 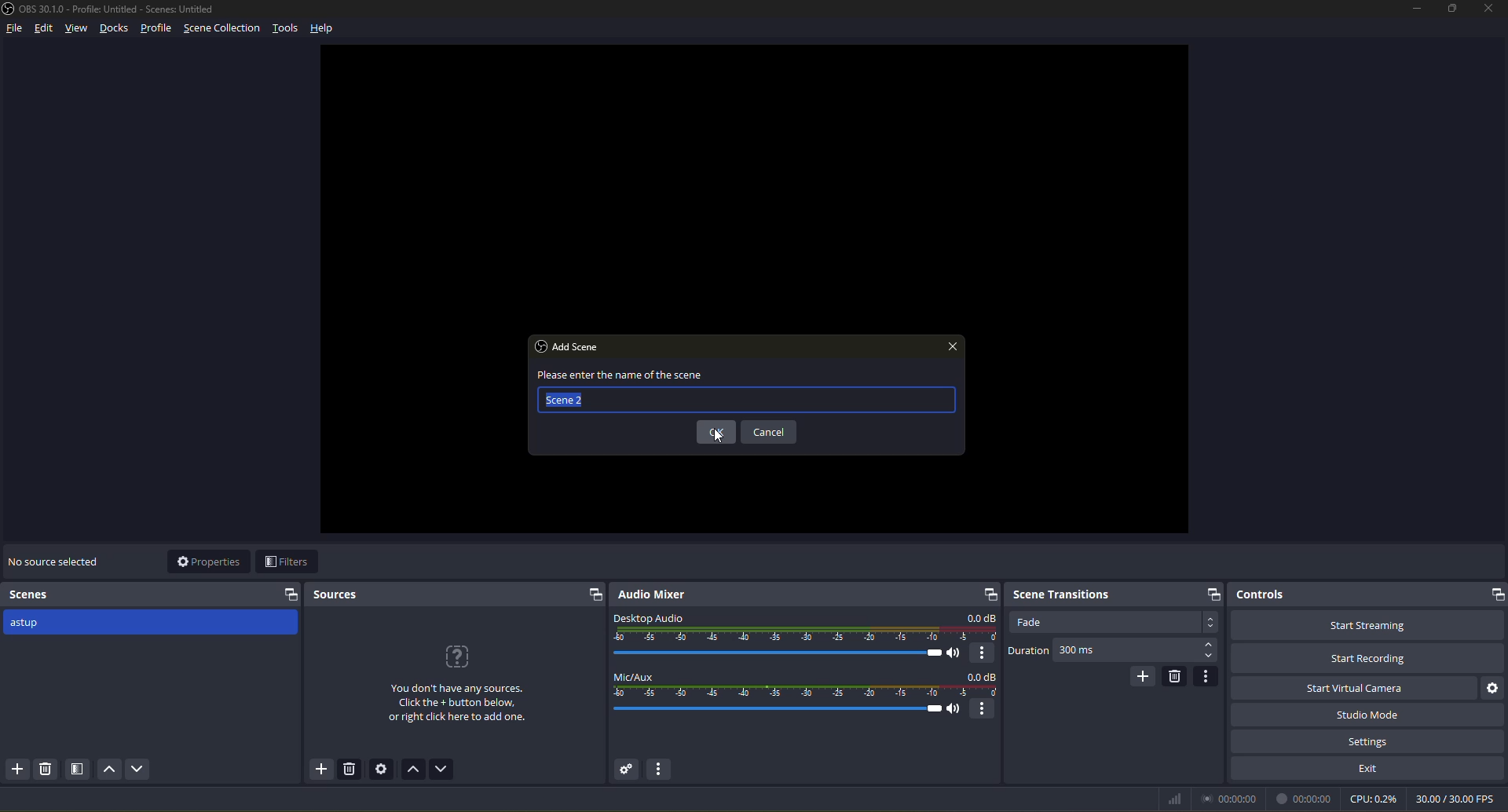 I want to click on move source up, so click(x=413, y=769).